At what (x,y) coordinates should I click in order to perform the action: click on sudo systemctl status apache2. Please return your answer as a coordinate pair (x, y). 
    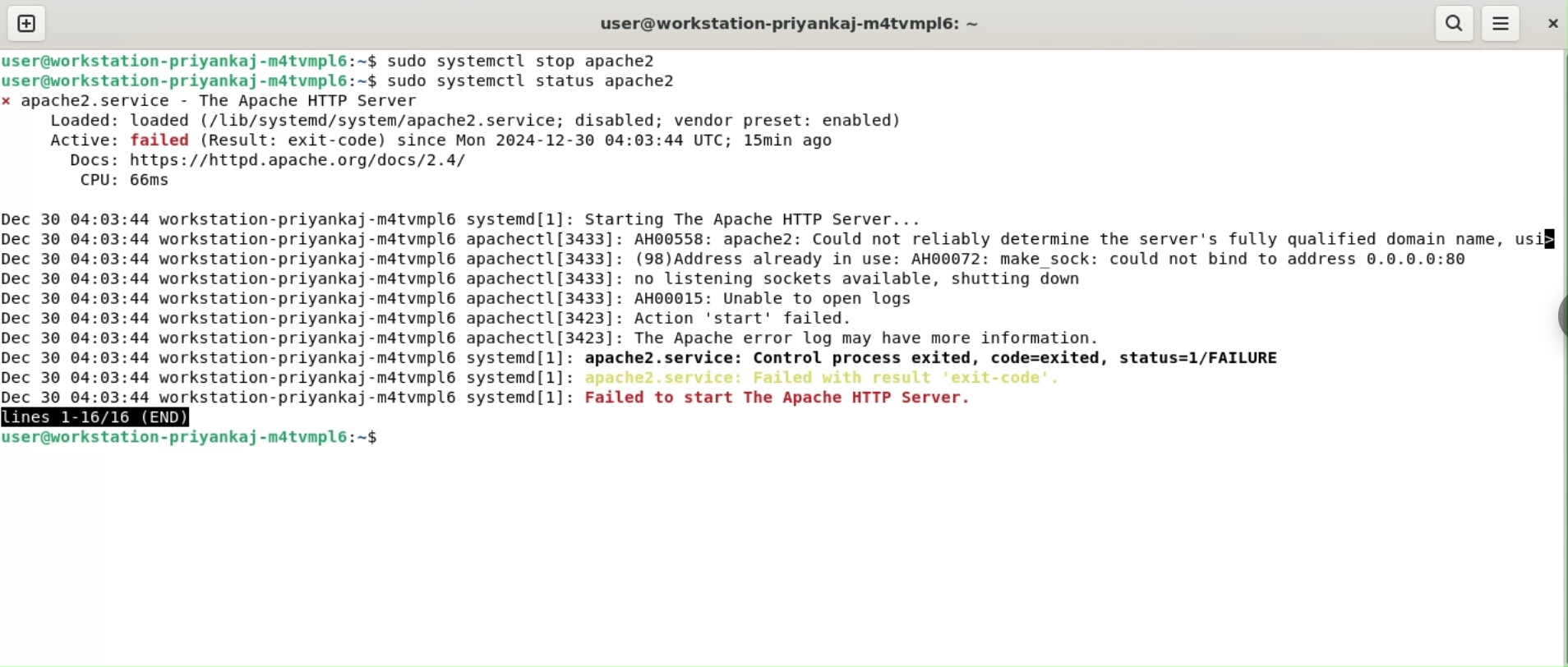
    Looking at the image, I should click on (546, 81).